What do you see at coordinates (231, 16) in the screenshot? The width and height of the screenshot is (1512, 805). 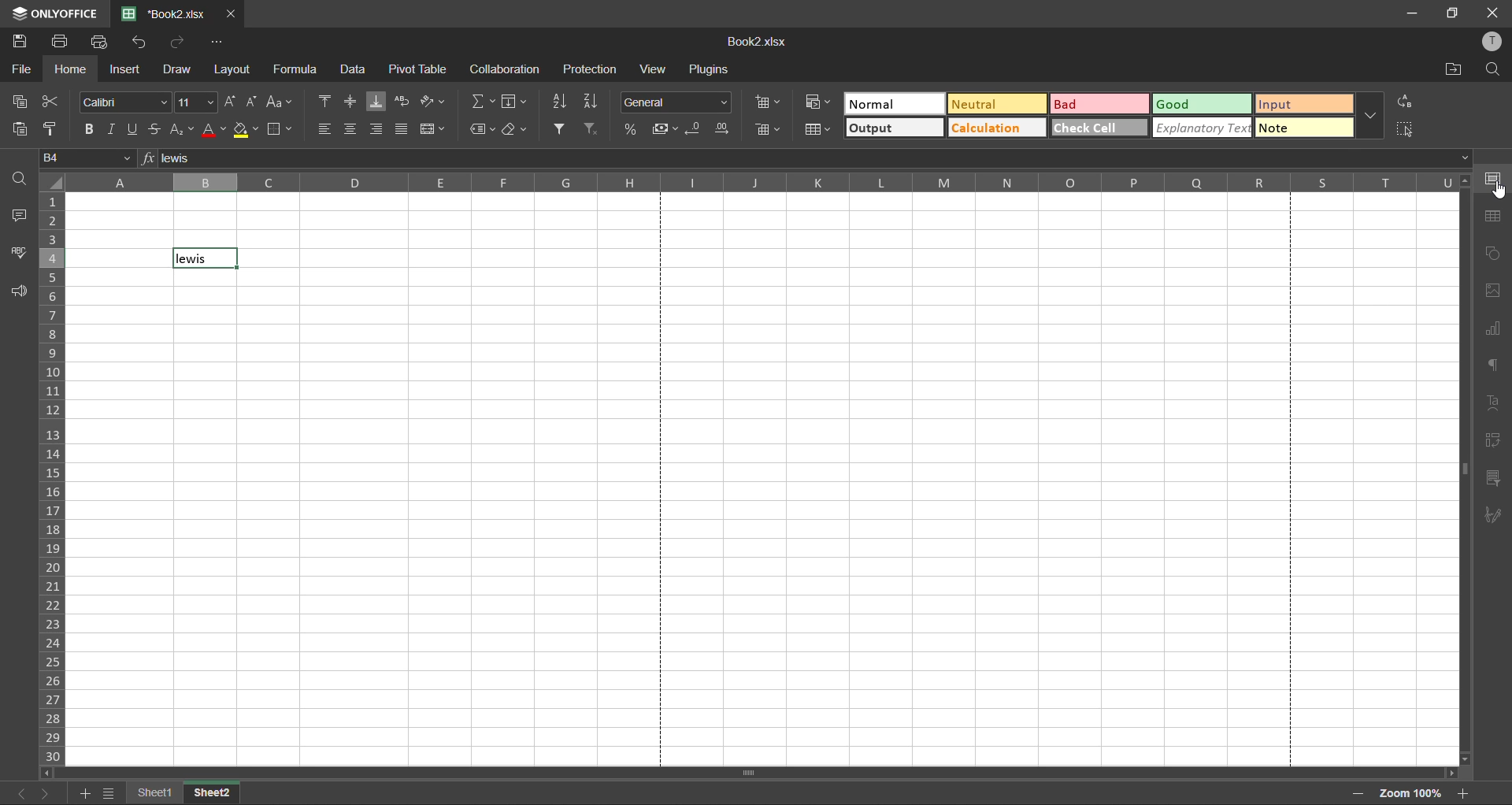 I see `close tab` at bounding box center [231, 16].